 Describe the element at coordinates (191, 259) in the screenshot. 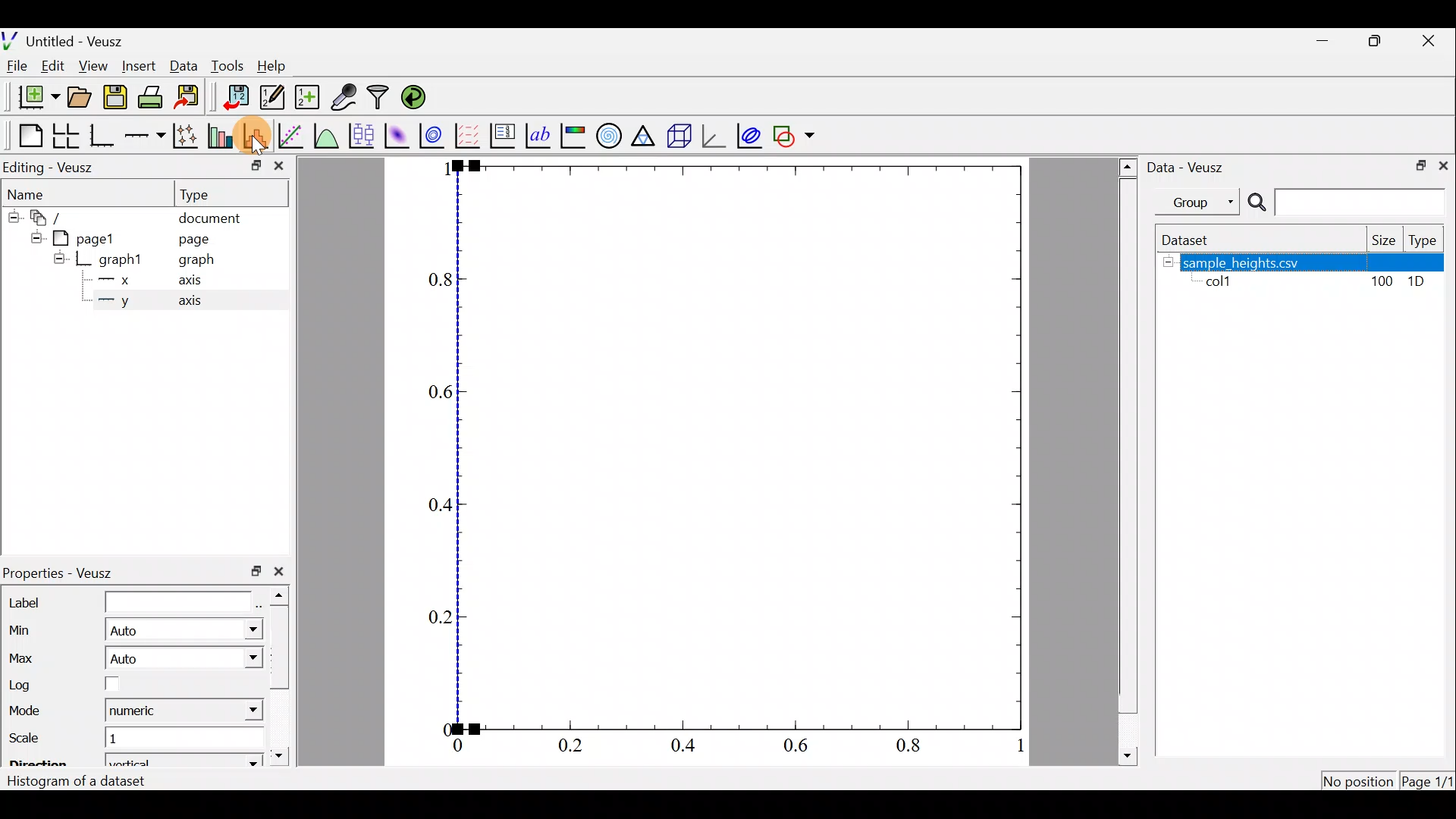

I see `graph` at that location.